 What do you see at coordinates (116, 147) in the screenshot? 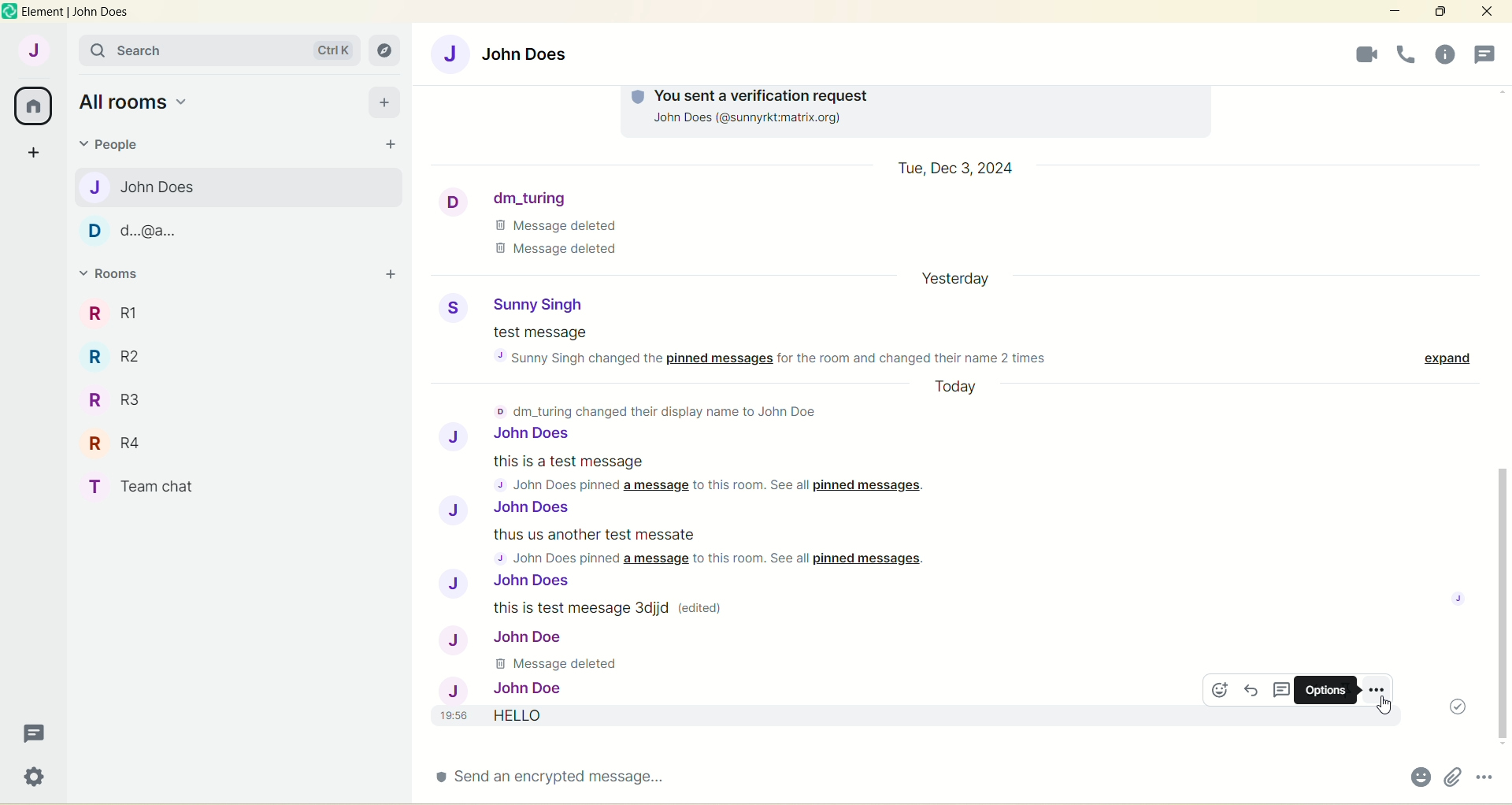
I see `people` at bounding box center [116, 147].